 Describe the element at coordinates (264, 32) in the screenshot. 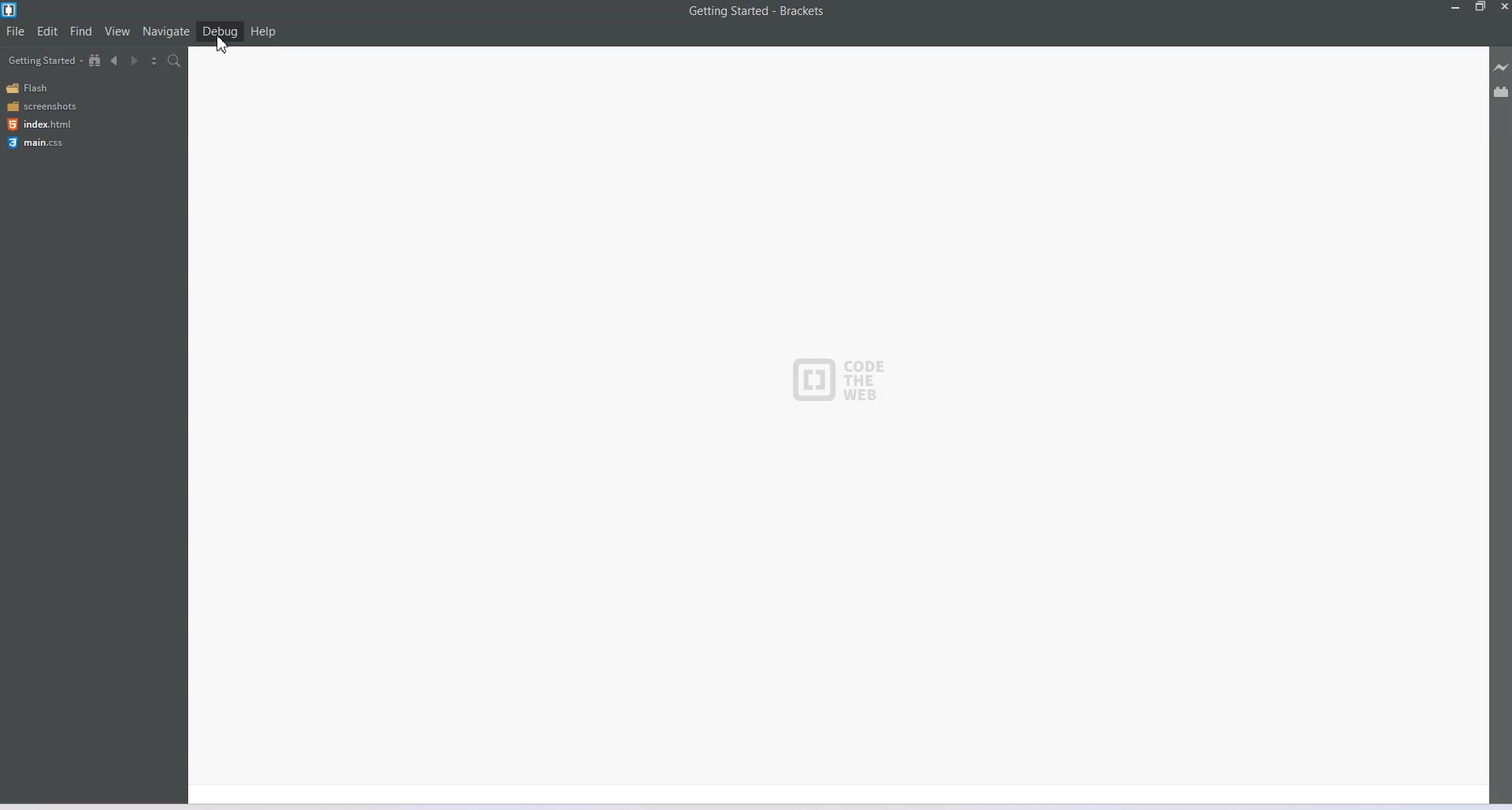

I see `Help` at that location.